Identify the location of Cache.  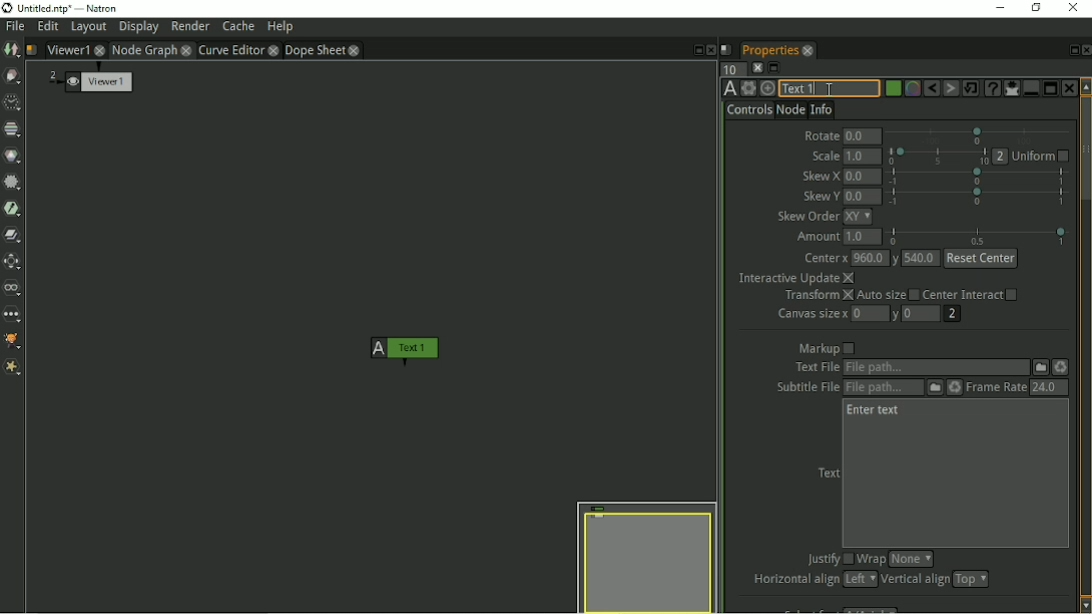
(238, 26).